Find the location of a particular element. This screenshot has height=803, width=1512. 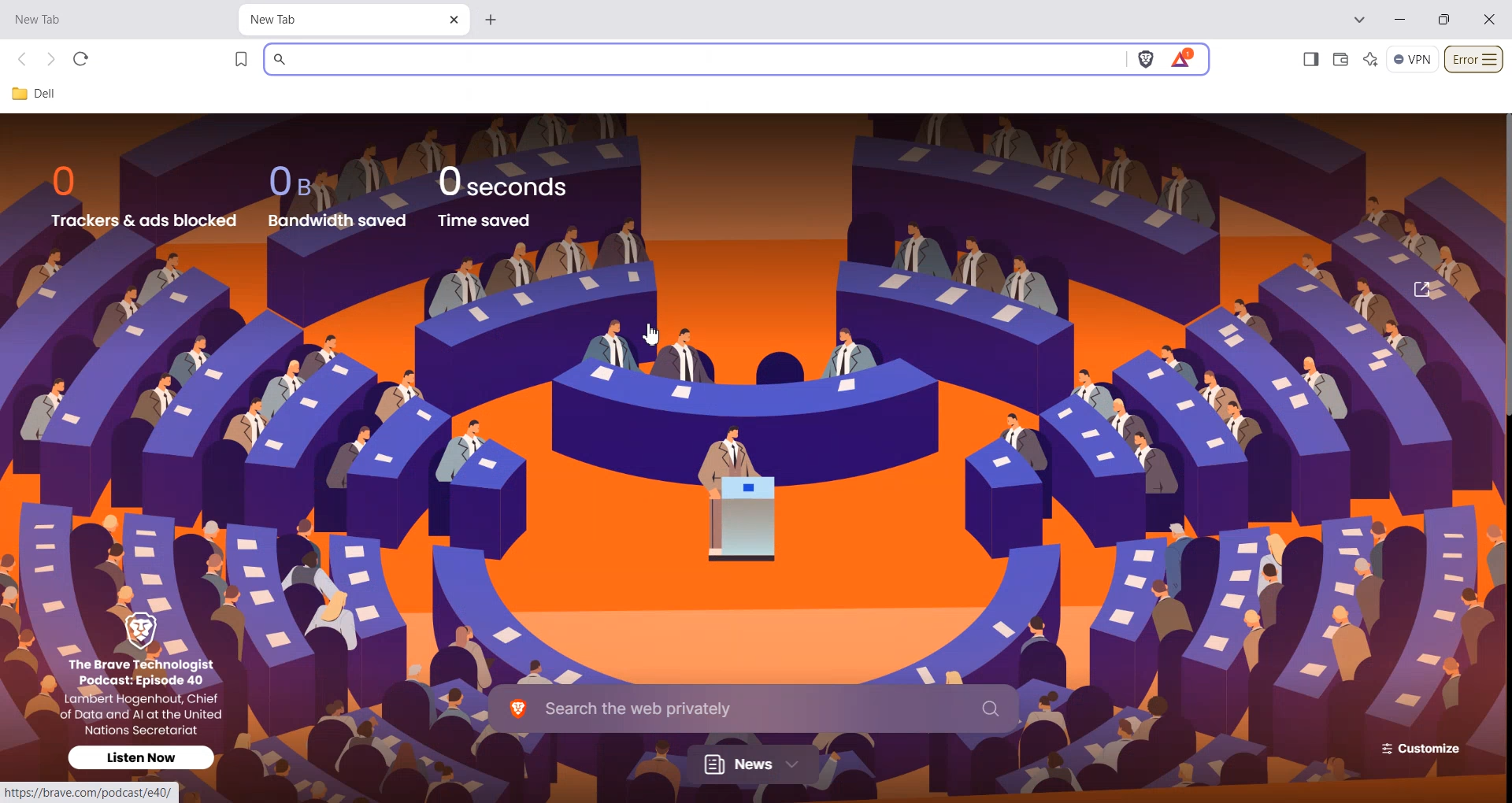

New Tab is located at coordinates (102, 20).